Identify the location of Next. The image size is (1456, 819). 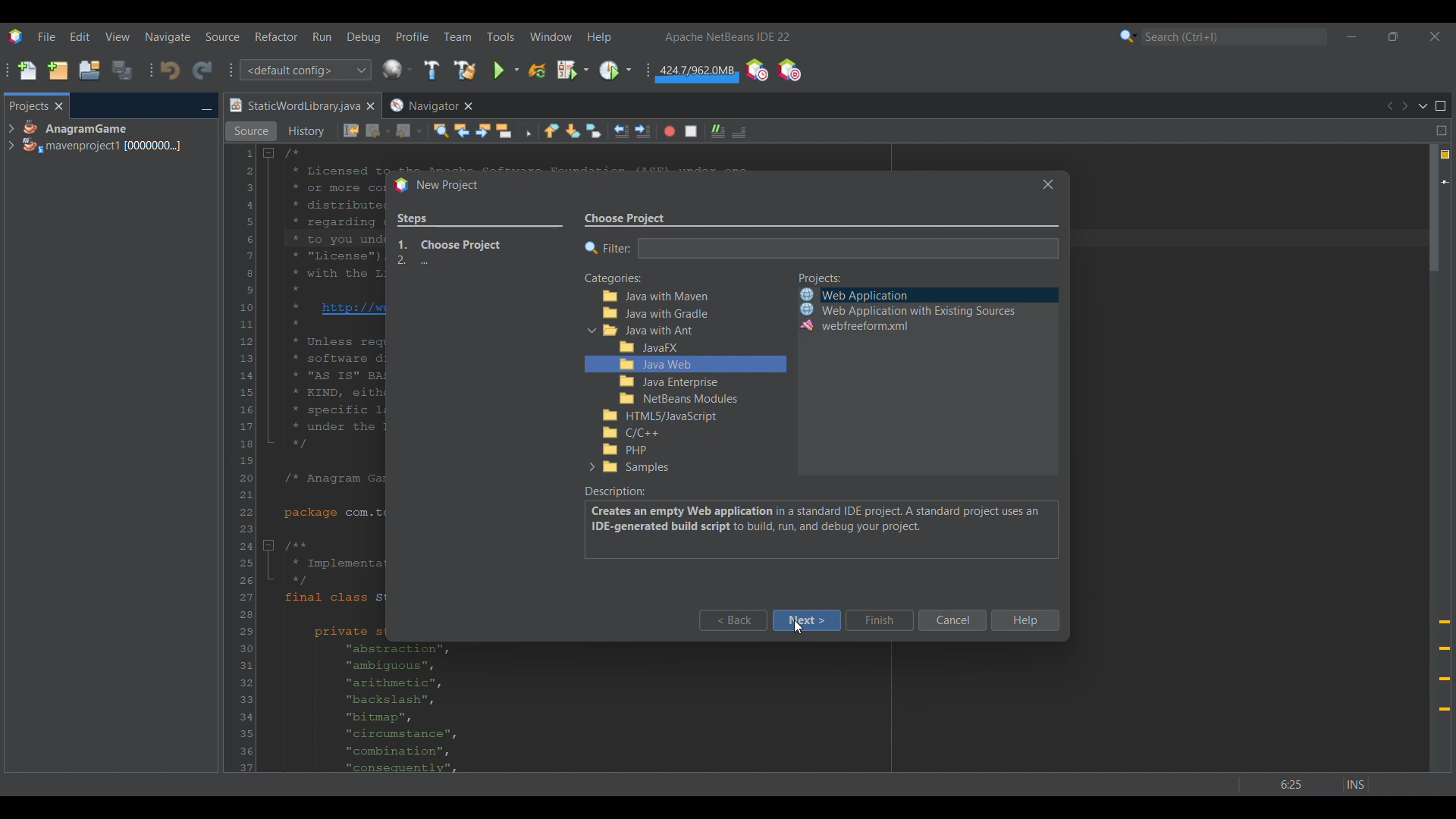
(1404, 106).